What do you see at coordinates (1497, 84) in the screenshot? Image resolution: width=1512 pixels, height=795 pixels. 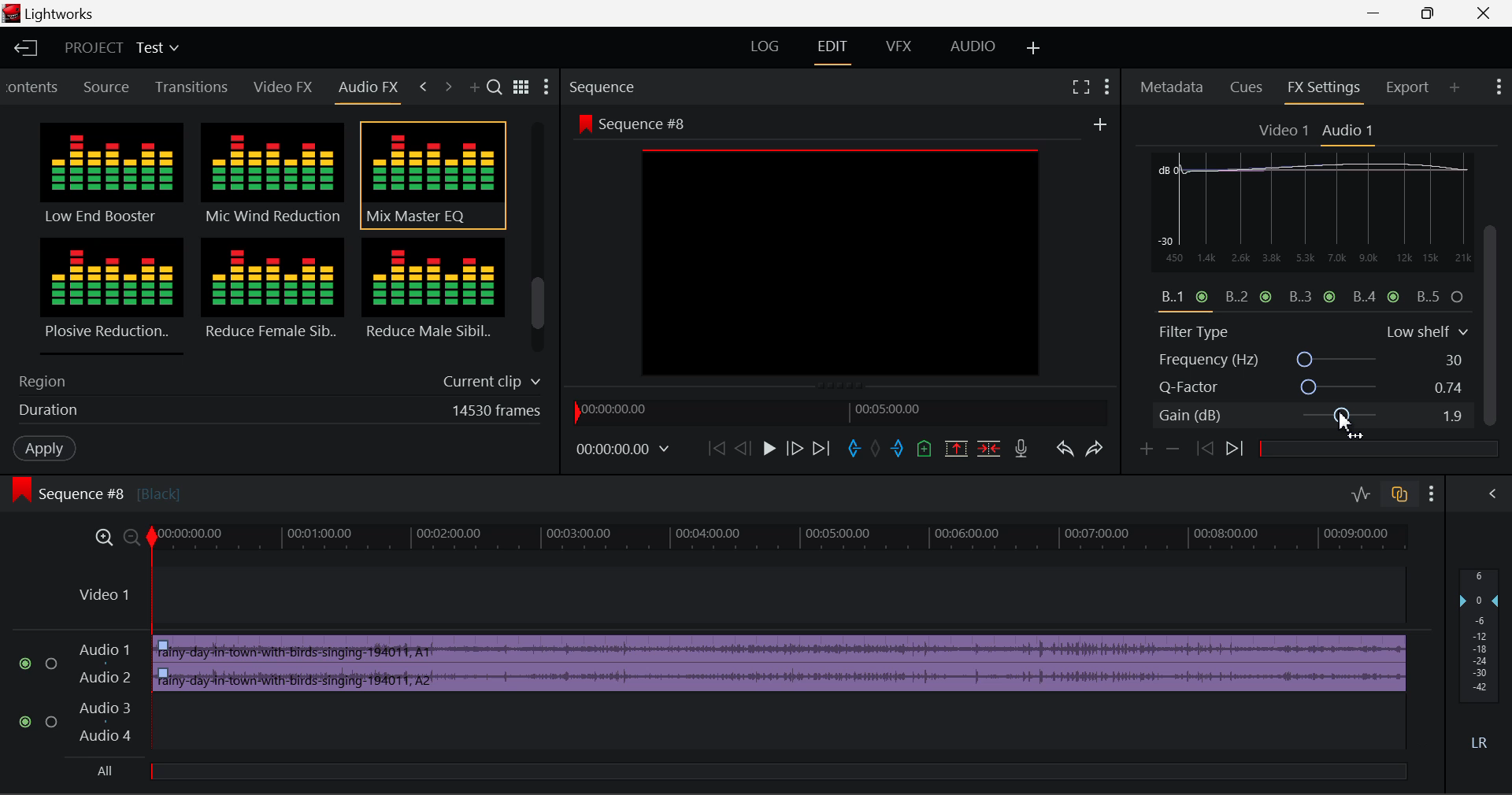 I see `Show Settings` at bounding box center [1497, 84].